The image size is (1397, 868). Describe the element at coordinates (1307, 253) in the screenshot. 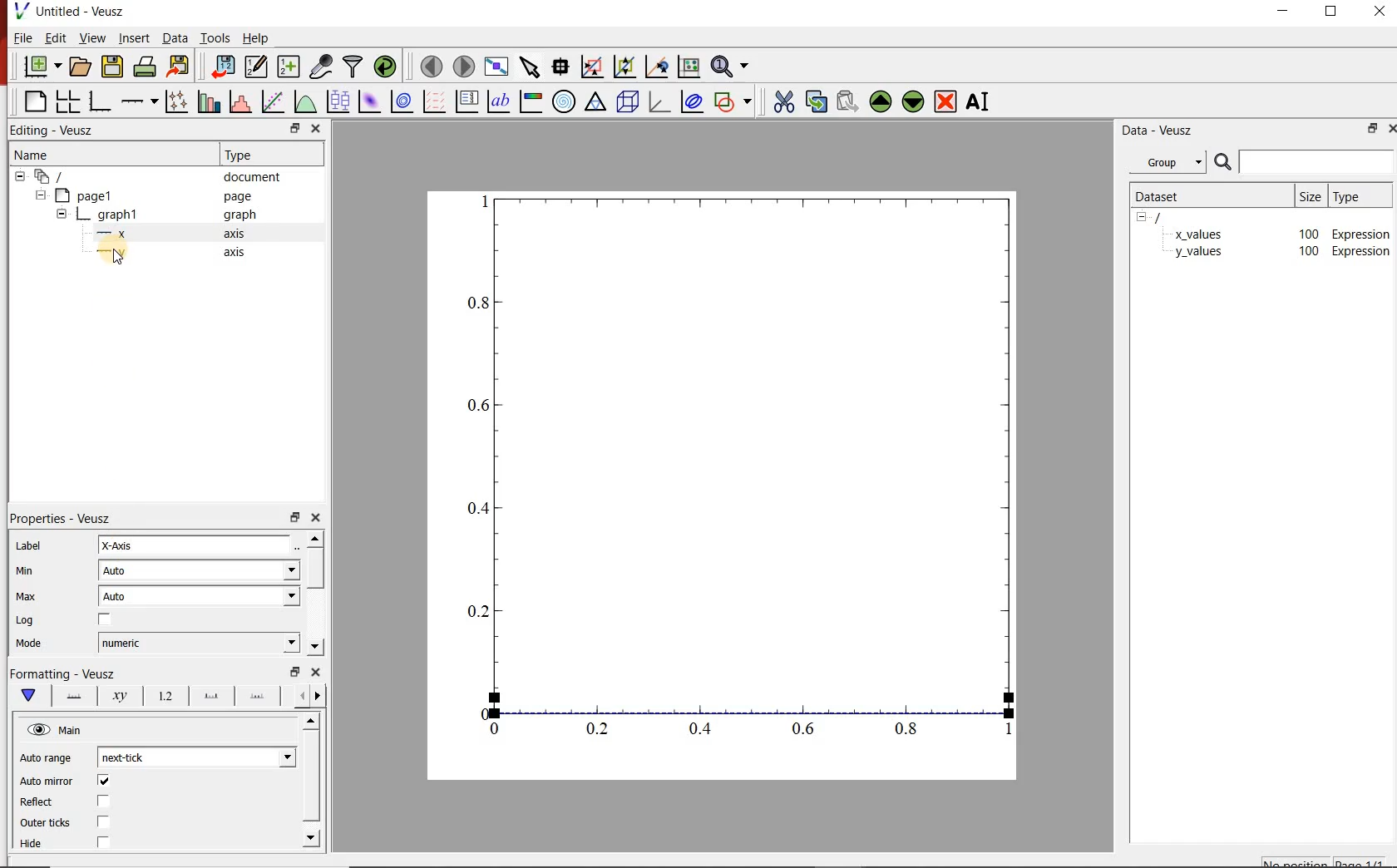

I see `100` at that location.